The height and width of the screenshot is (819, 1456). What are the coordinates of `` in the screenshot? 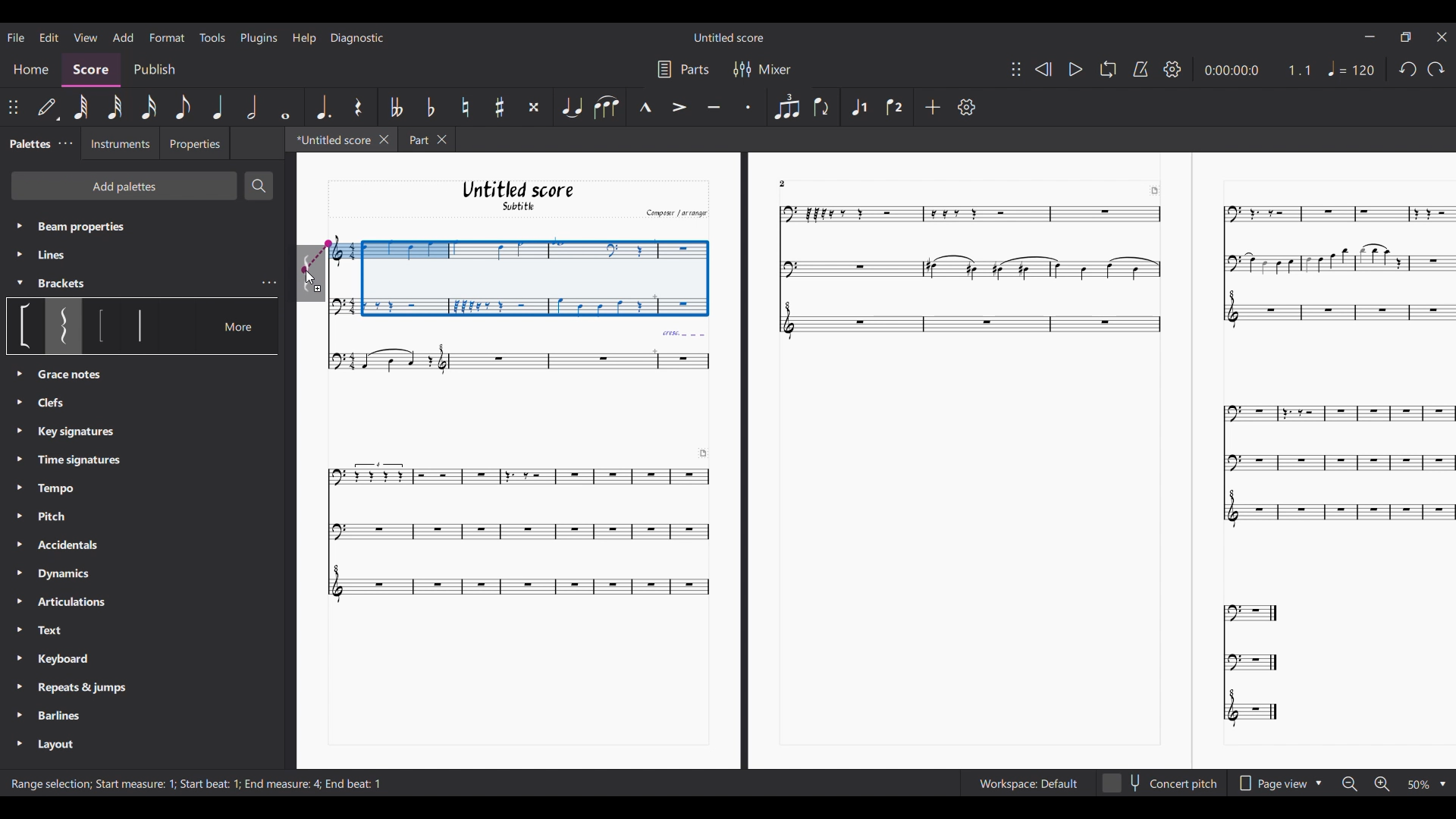 It's located at (16, 600).